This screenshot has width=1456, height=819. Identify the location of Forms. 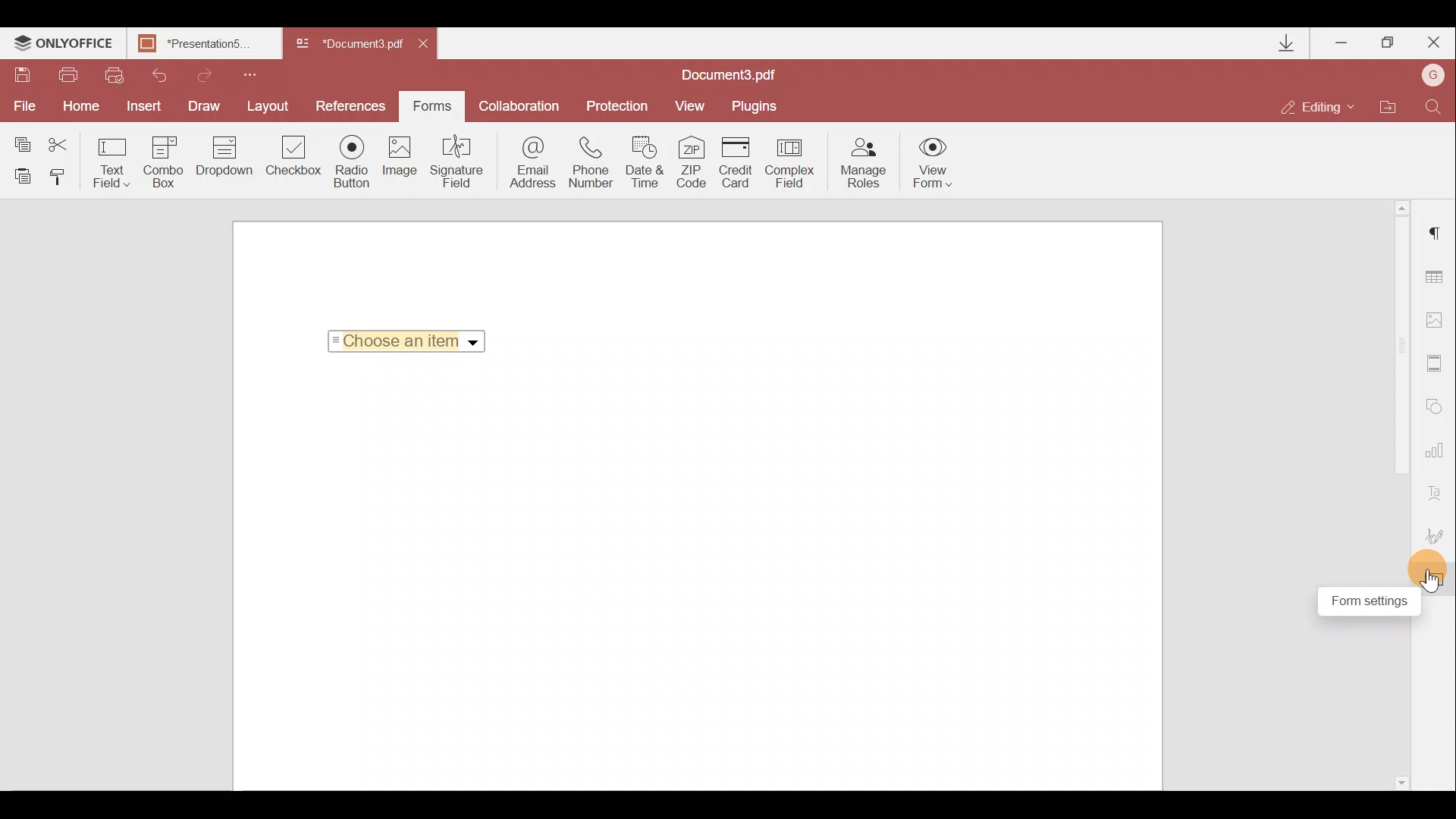
(431, 101).